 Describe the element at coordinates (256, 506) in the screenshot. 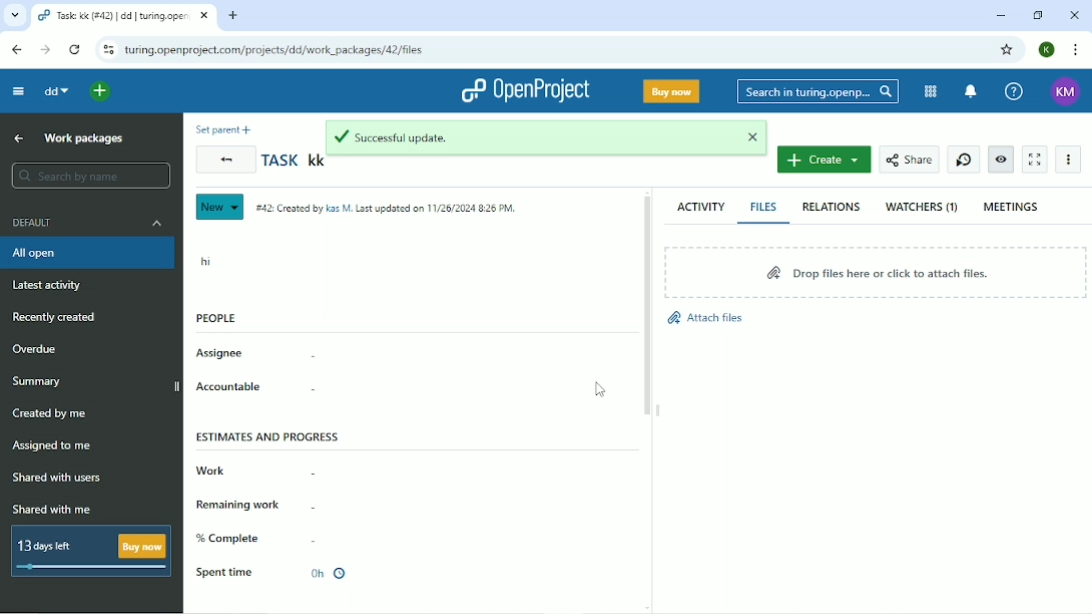

I see `Remaining work` at that location.